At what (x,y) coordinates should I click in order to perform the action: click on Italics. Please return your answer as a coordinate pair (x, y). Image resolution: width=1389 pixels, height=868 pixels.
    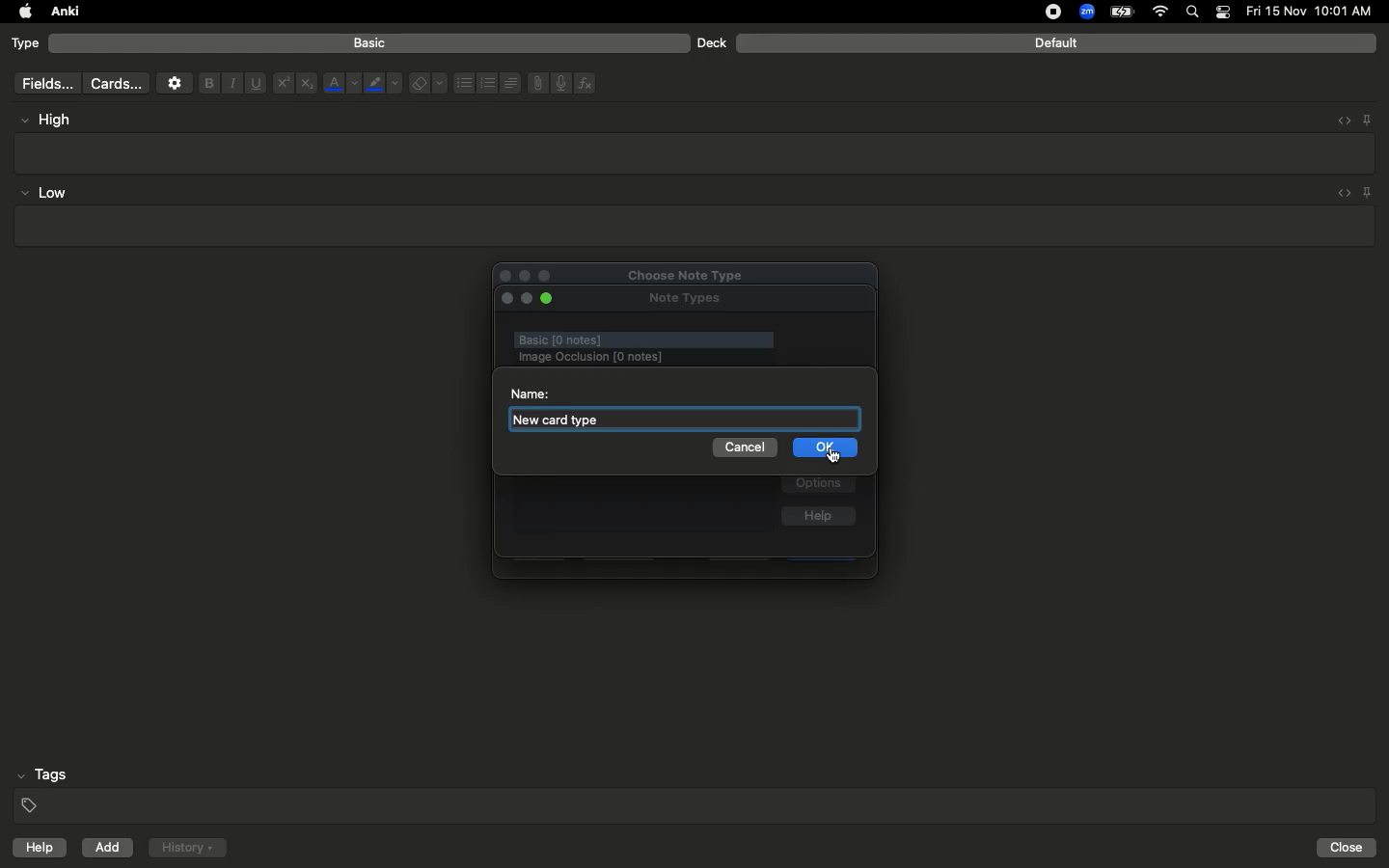
    Looking at the image, I should click on (230, 84).